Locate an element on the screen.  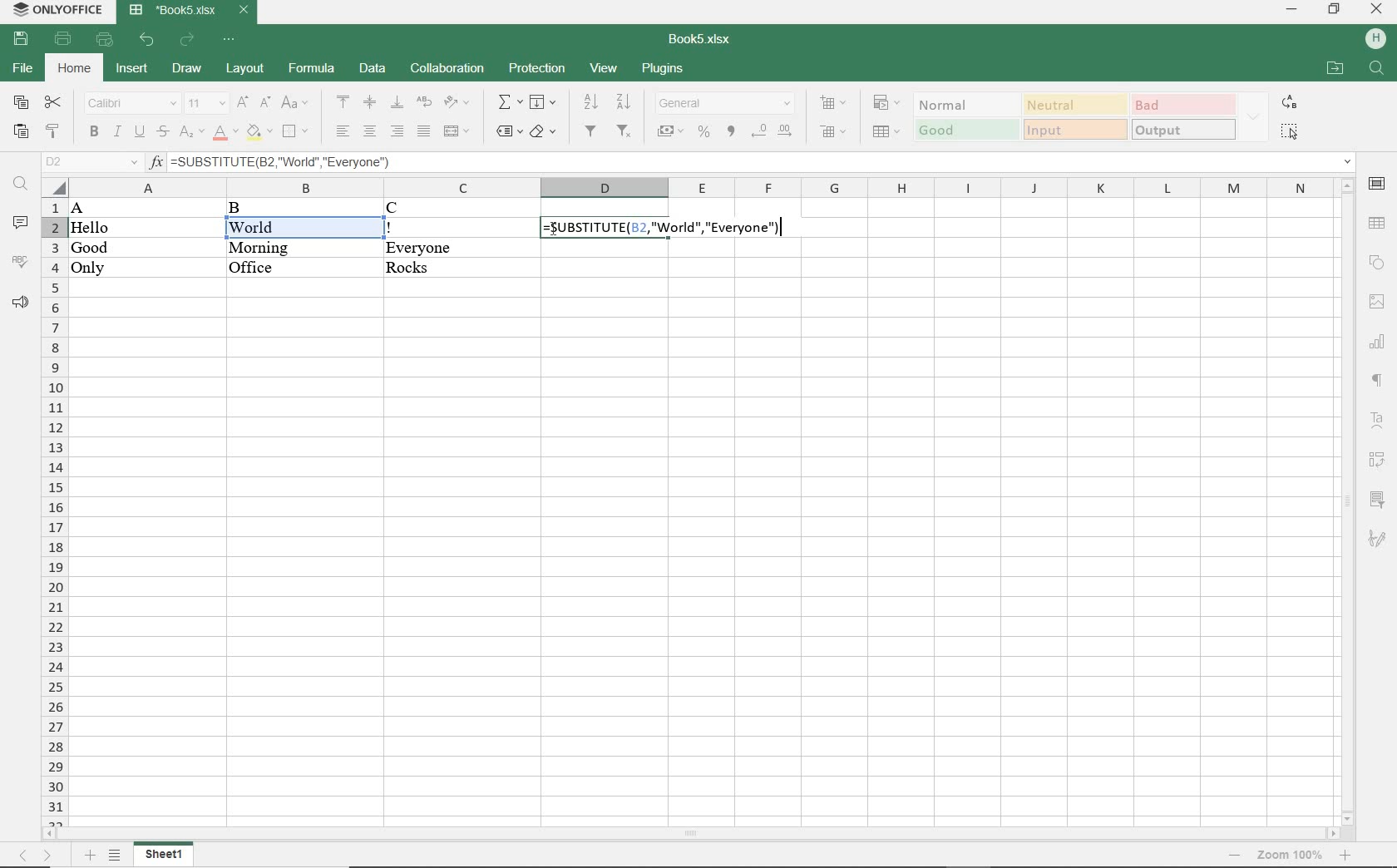
Everyone is located at coordinates (460, 248).